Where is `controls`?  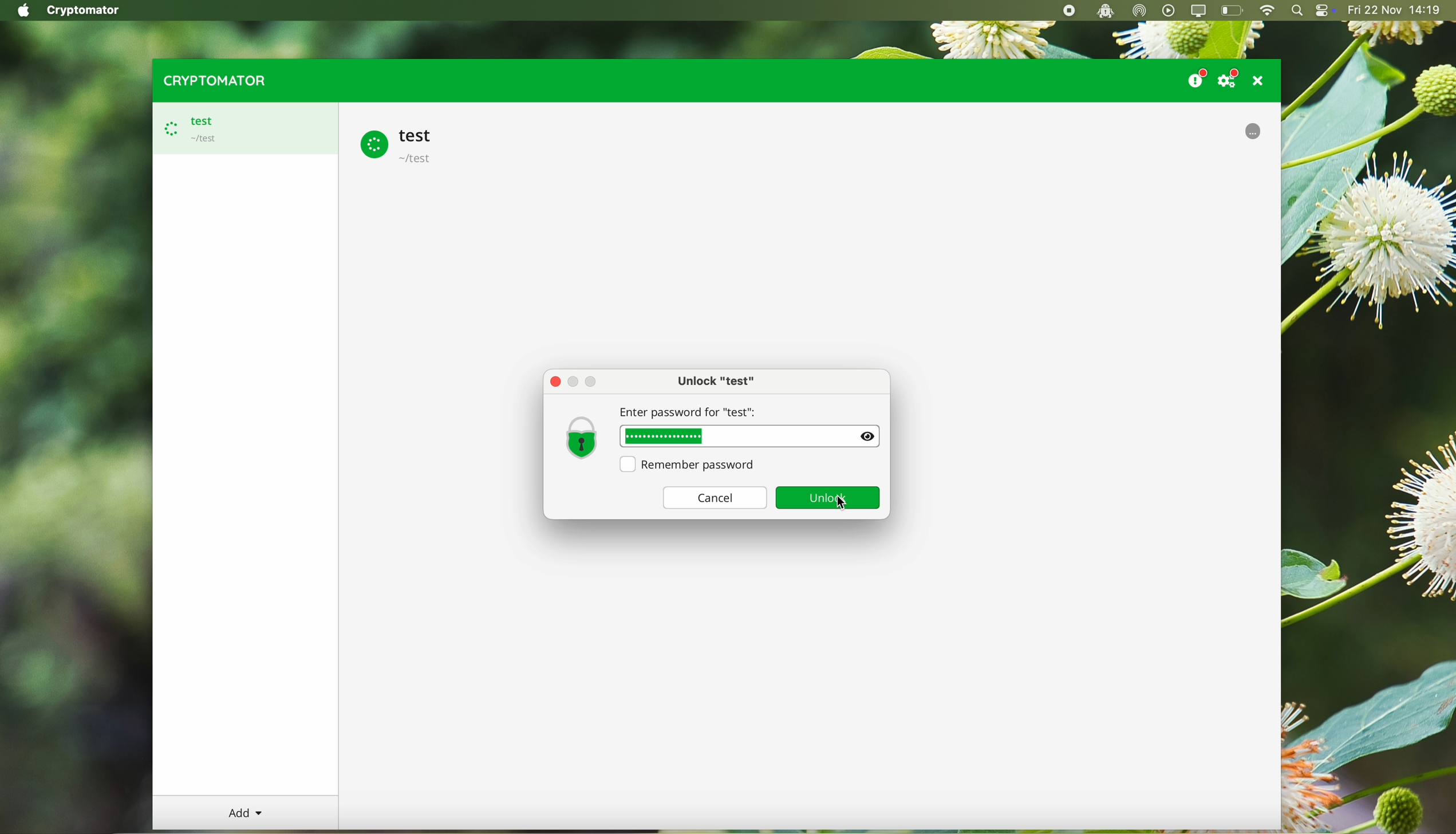 controls is located at coordinates (1325, 11).